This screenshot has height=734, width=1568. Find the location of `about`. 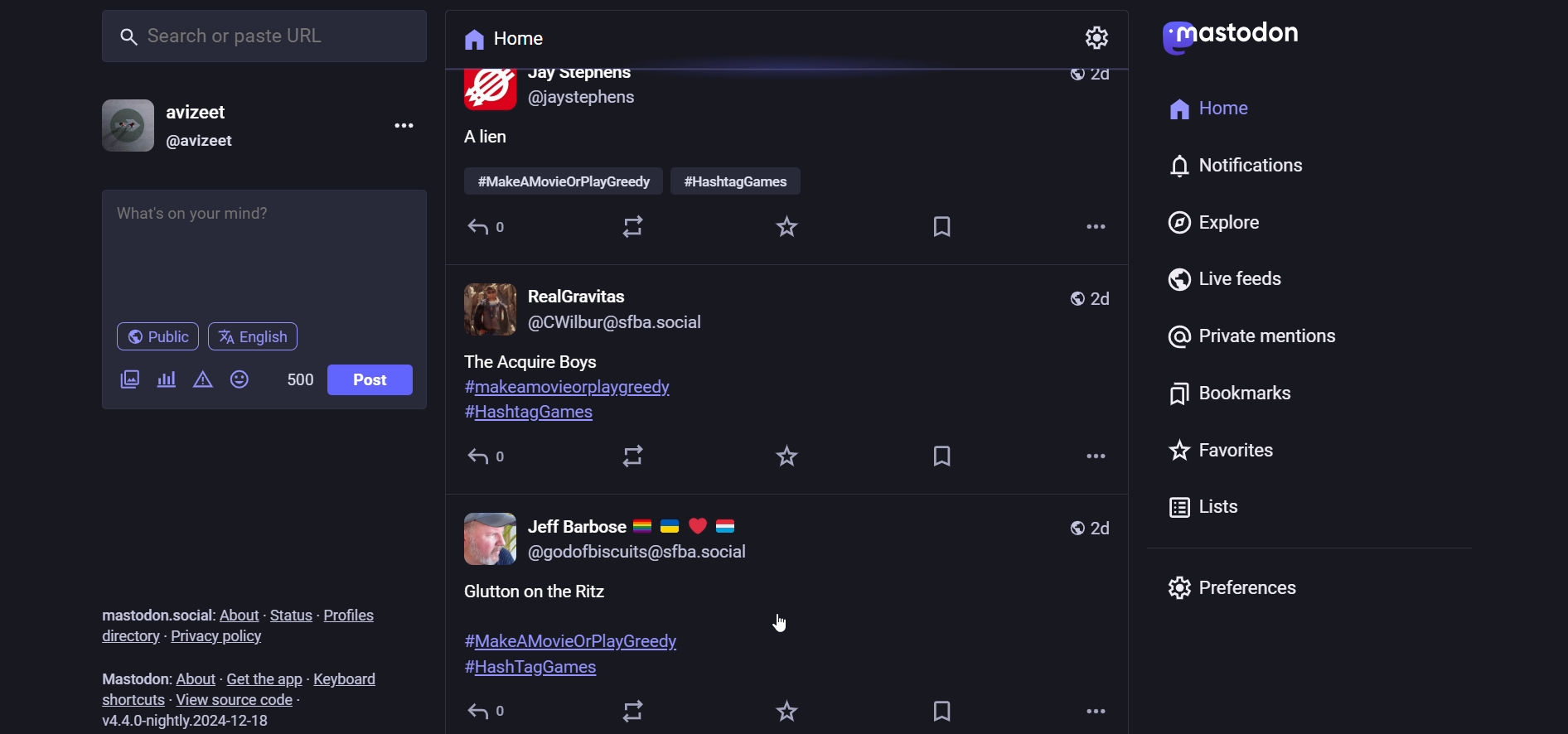

about is located at coordinates (237, 611).